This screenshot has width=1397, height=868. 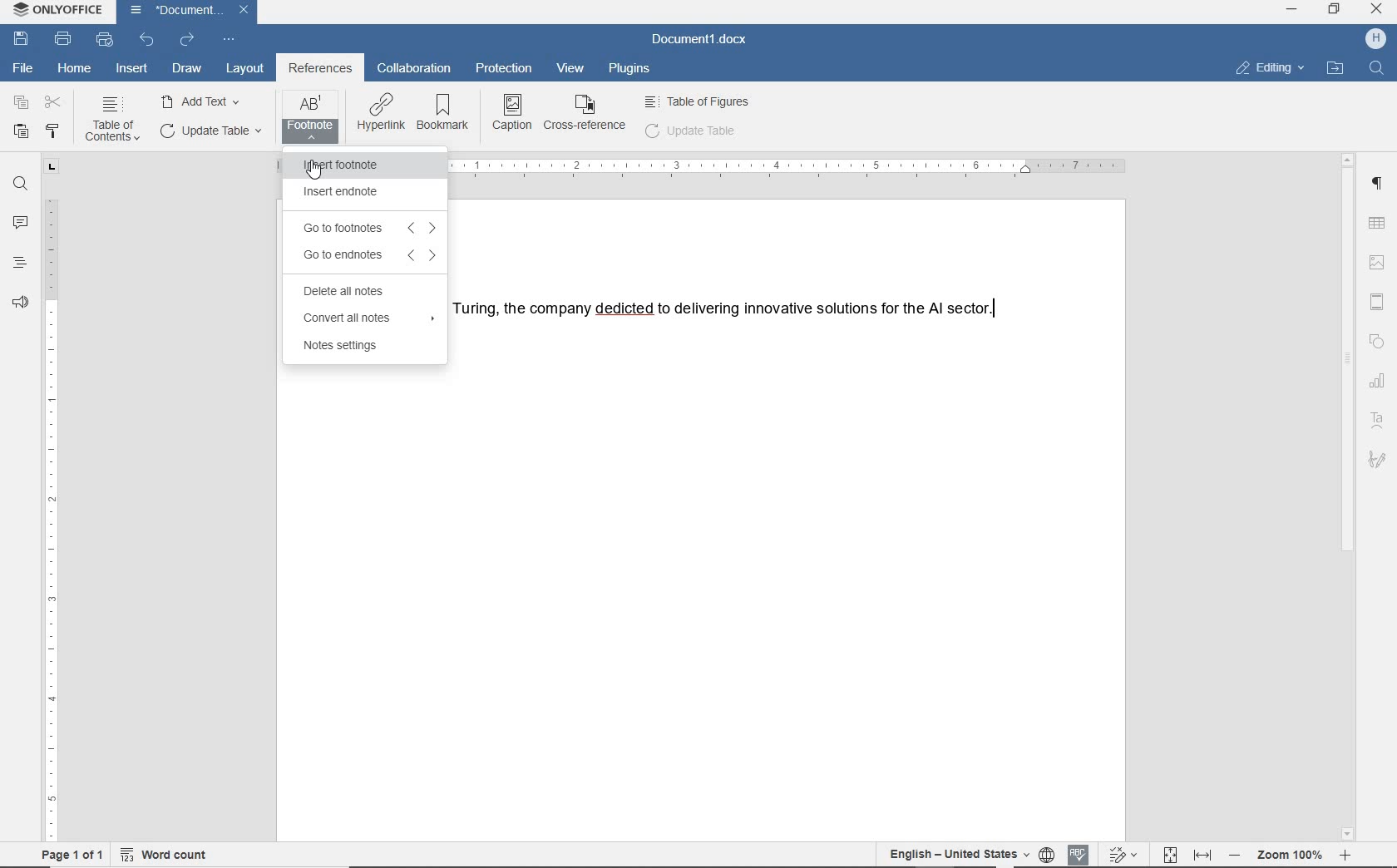 What do you see at coordinates (1123, 854) in the screenshot?
I see `track changes` at bounding box center [1123, 854].